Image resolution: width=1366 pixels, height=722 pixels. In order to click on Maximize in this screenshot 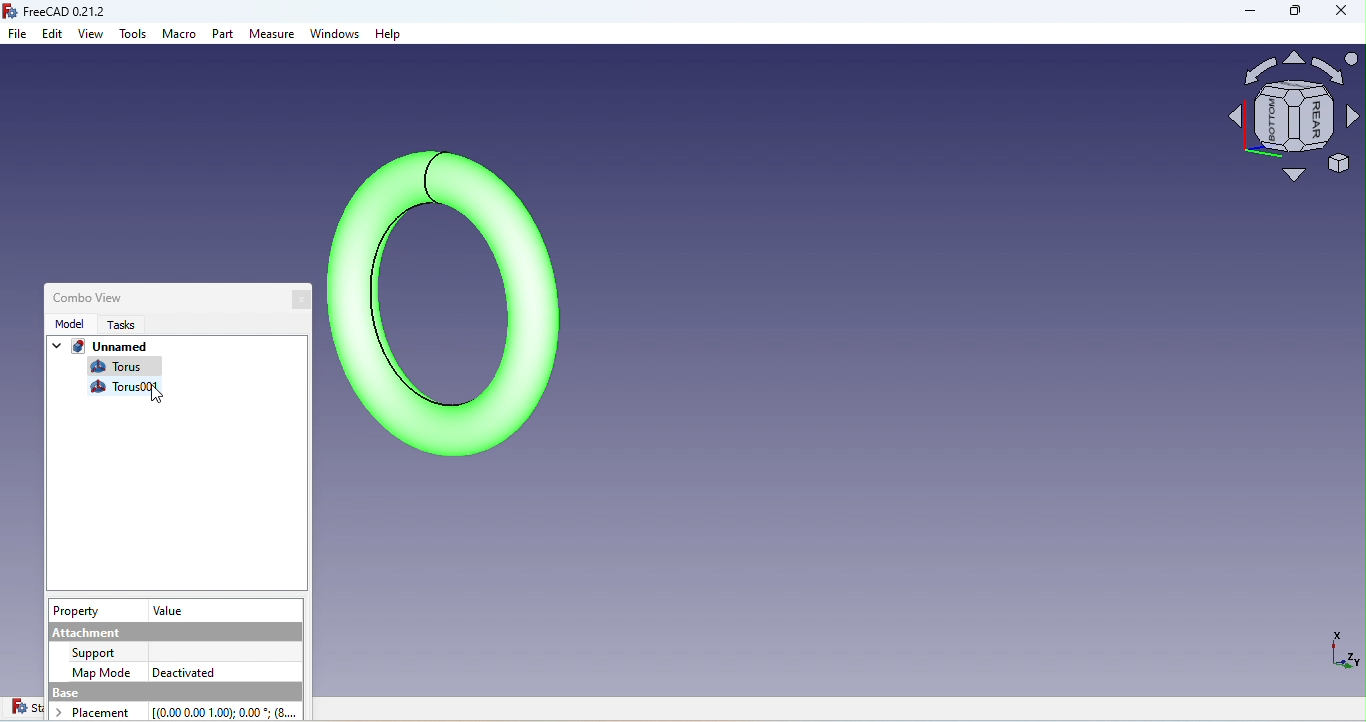, I will do `click(1293, 15)`.